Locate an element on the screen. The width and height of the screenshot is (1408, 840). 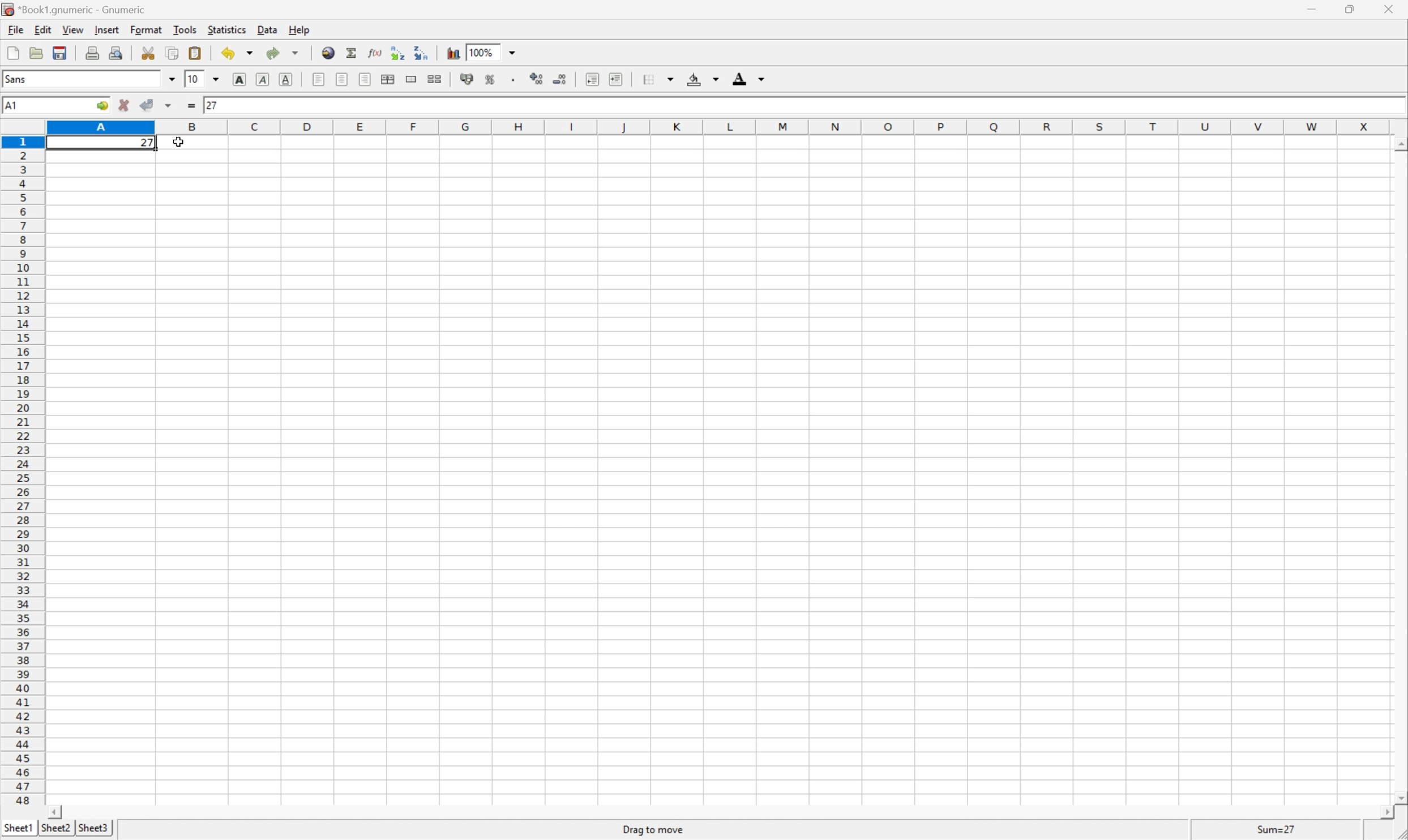
Edit function in current cell is located at coordinates (376, 52).